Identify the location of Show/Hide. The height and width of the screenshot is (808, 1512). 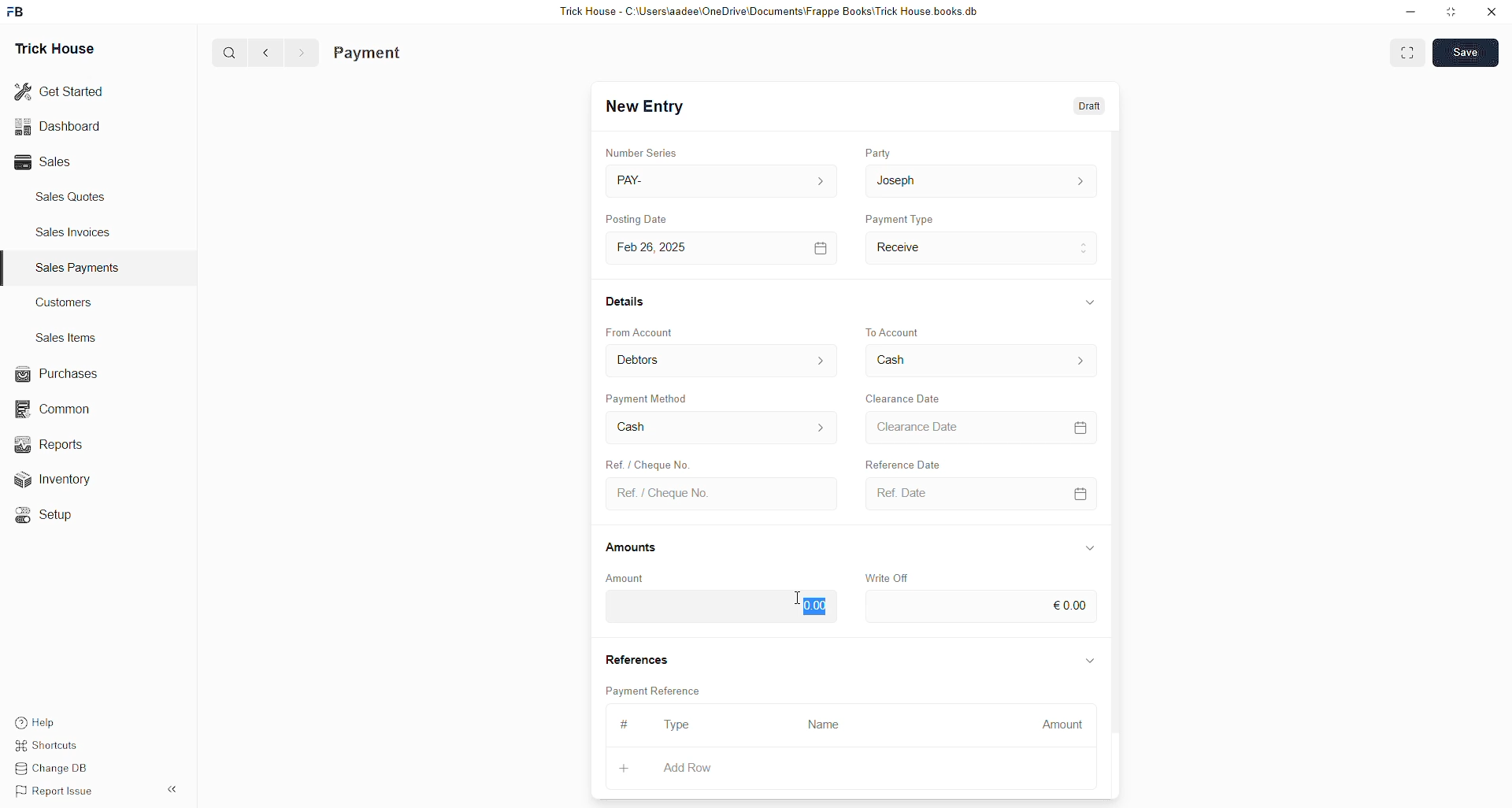
(1091, 302).